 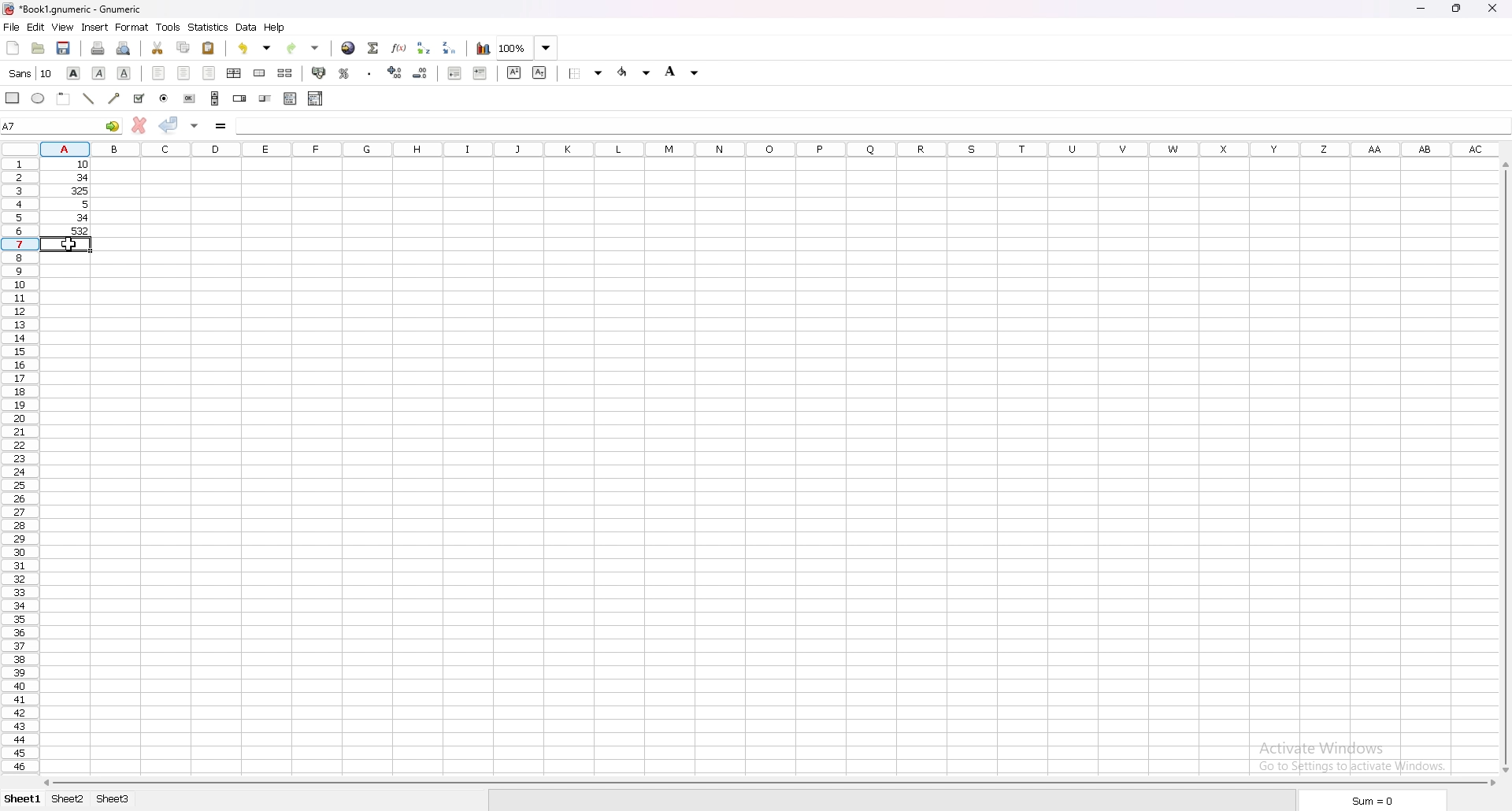 I want to click on frame, so click(x=63, y=98).